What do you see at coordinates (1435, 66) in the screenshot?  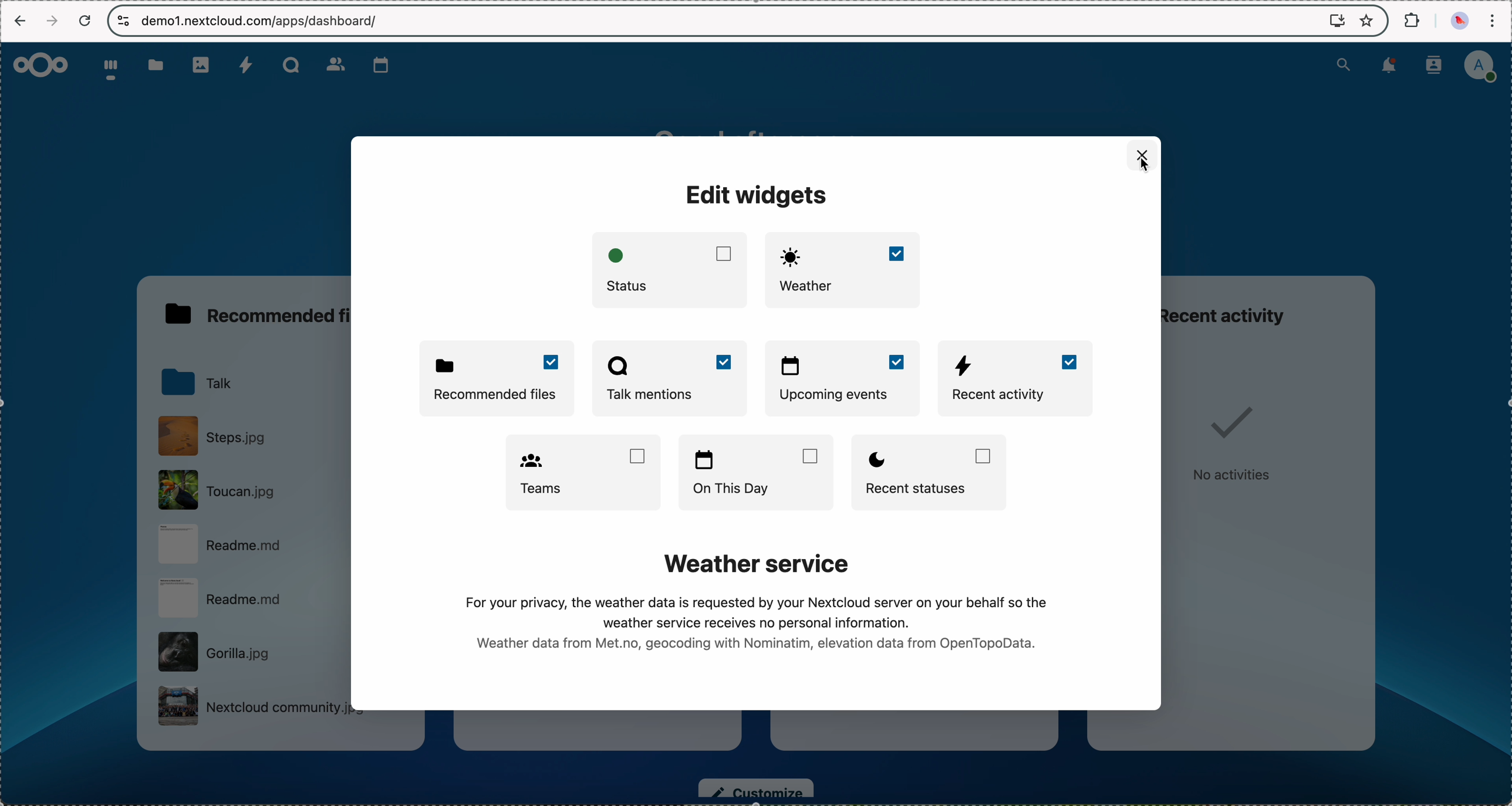 I see `contacts` at bounding box center [1435, 66].